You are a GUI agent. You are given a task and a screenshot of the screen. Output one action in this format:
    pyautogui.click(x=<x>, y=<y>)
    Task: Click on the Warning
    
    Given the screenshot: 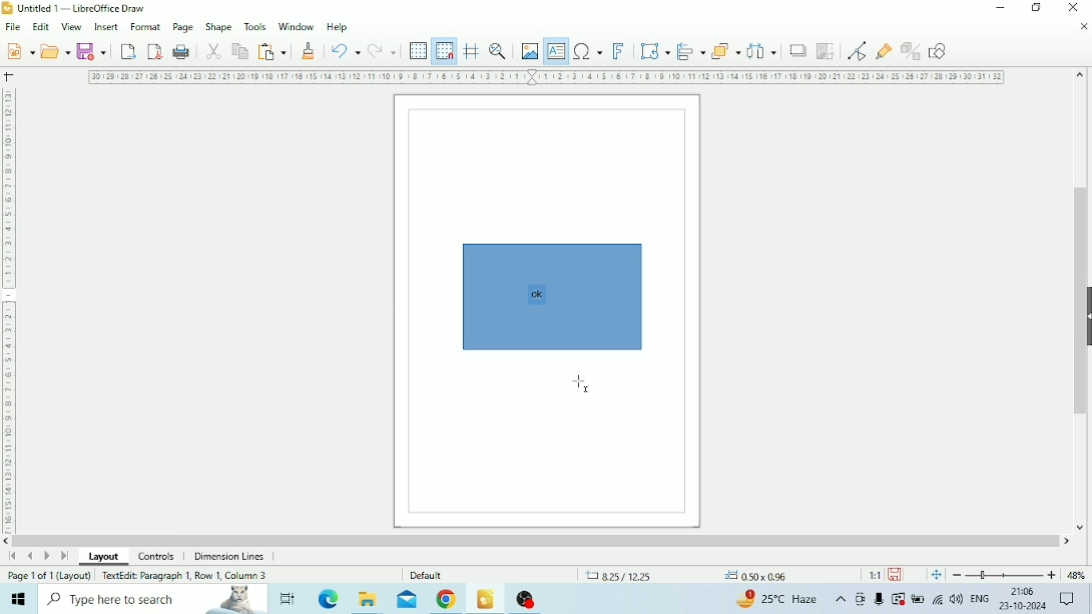 What is the action you would take?
    pyautogui.click(x=898, y=599)
    